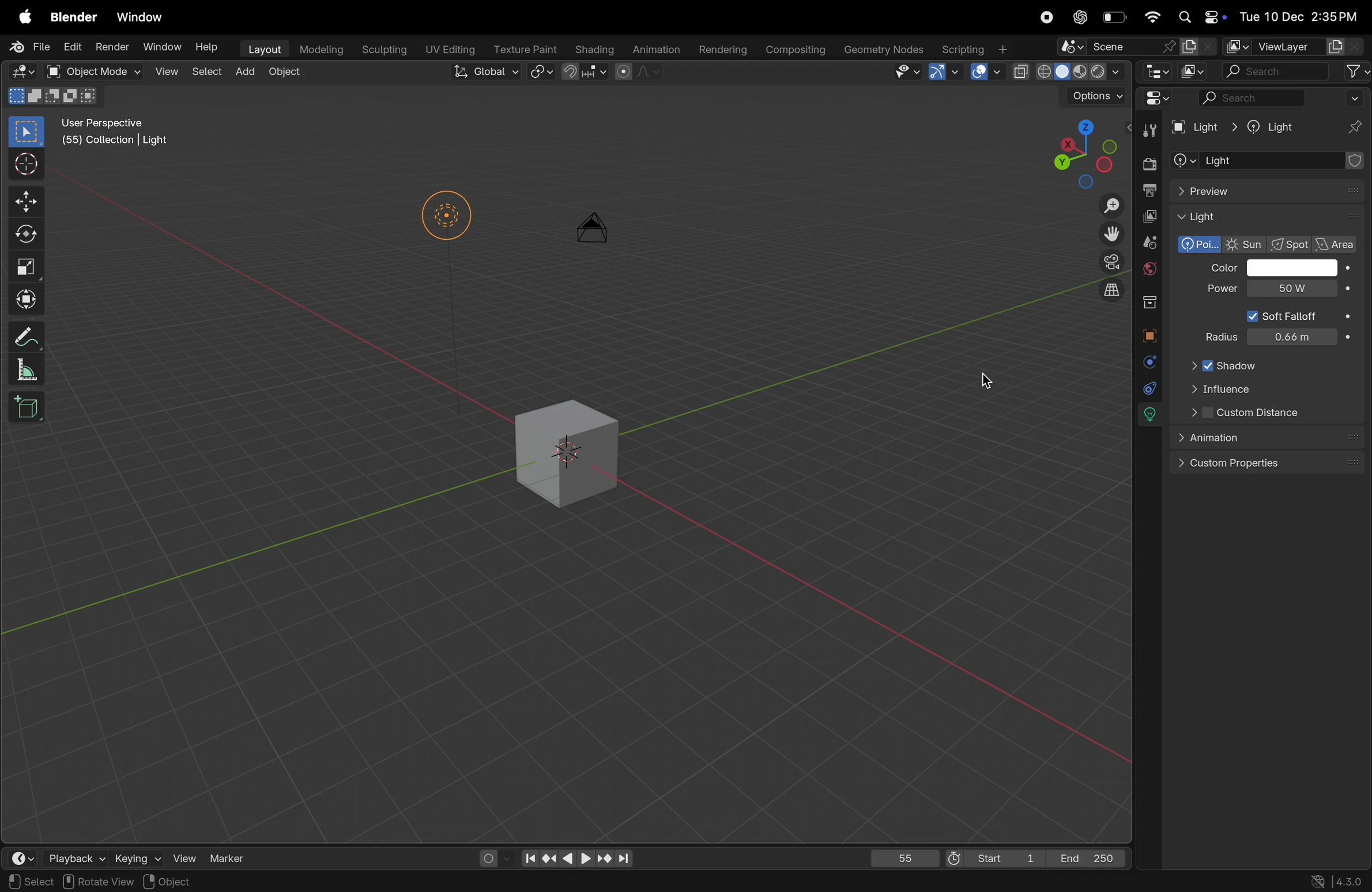 Image resolution: width=1372 pixels, height=892 pixels. Describe the element at coordinates (27, 164) in the screenshot. I see `cursor` at that location.